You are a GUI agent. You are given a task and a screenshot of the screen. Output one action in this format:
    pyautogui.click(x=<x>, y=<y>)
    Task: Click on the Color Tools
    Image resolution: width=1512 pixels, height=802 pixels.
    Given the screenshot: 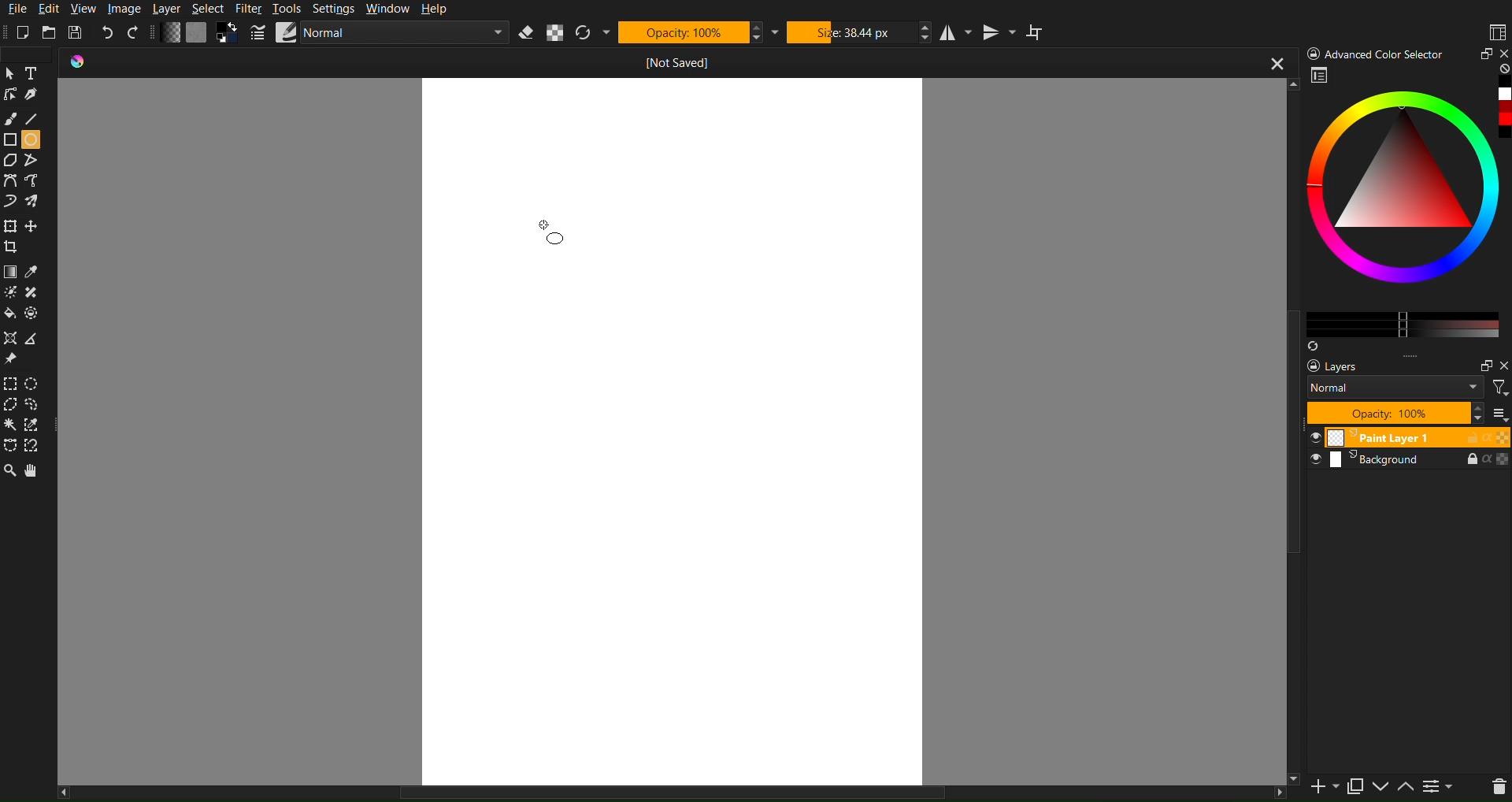 What is the action you would take?
    pyautogui.click(x=10, y=270)
    